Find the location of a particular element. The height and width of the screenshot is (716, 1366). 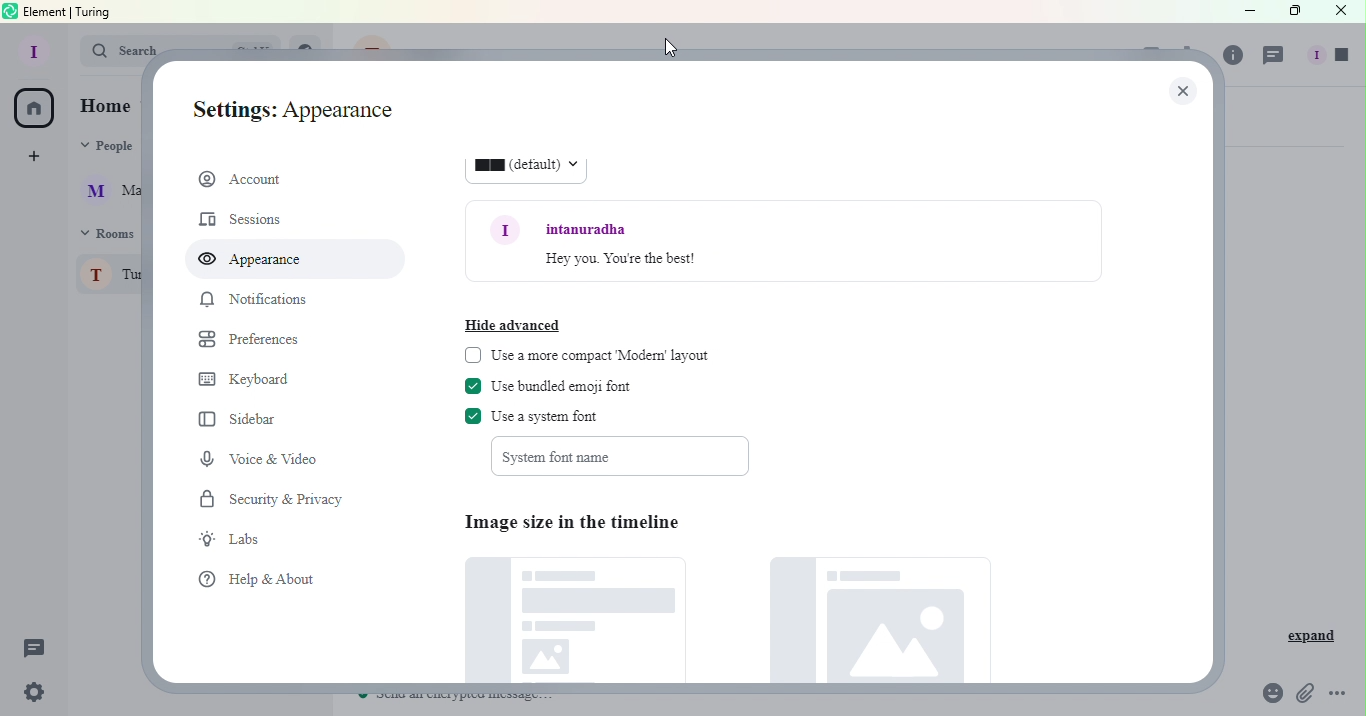

check box is located at coordinates (473, 355).